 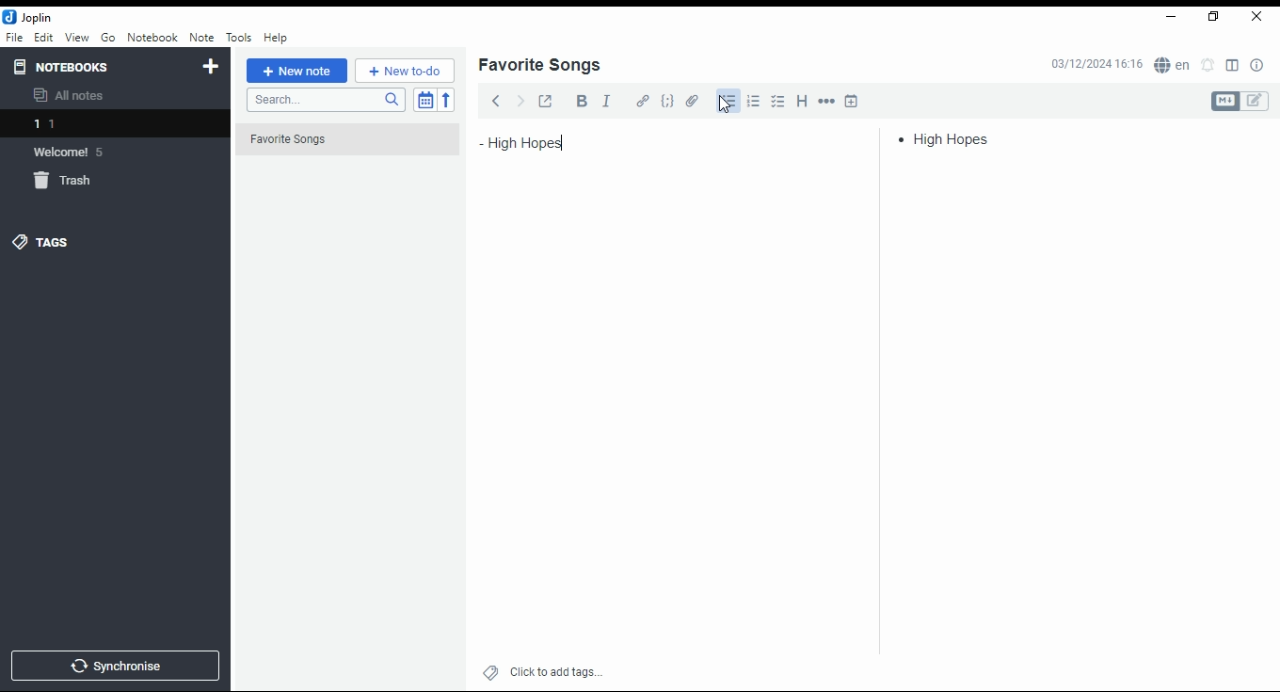 I want to click on forward, so click(x=520, y=99).